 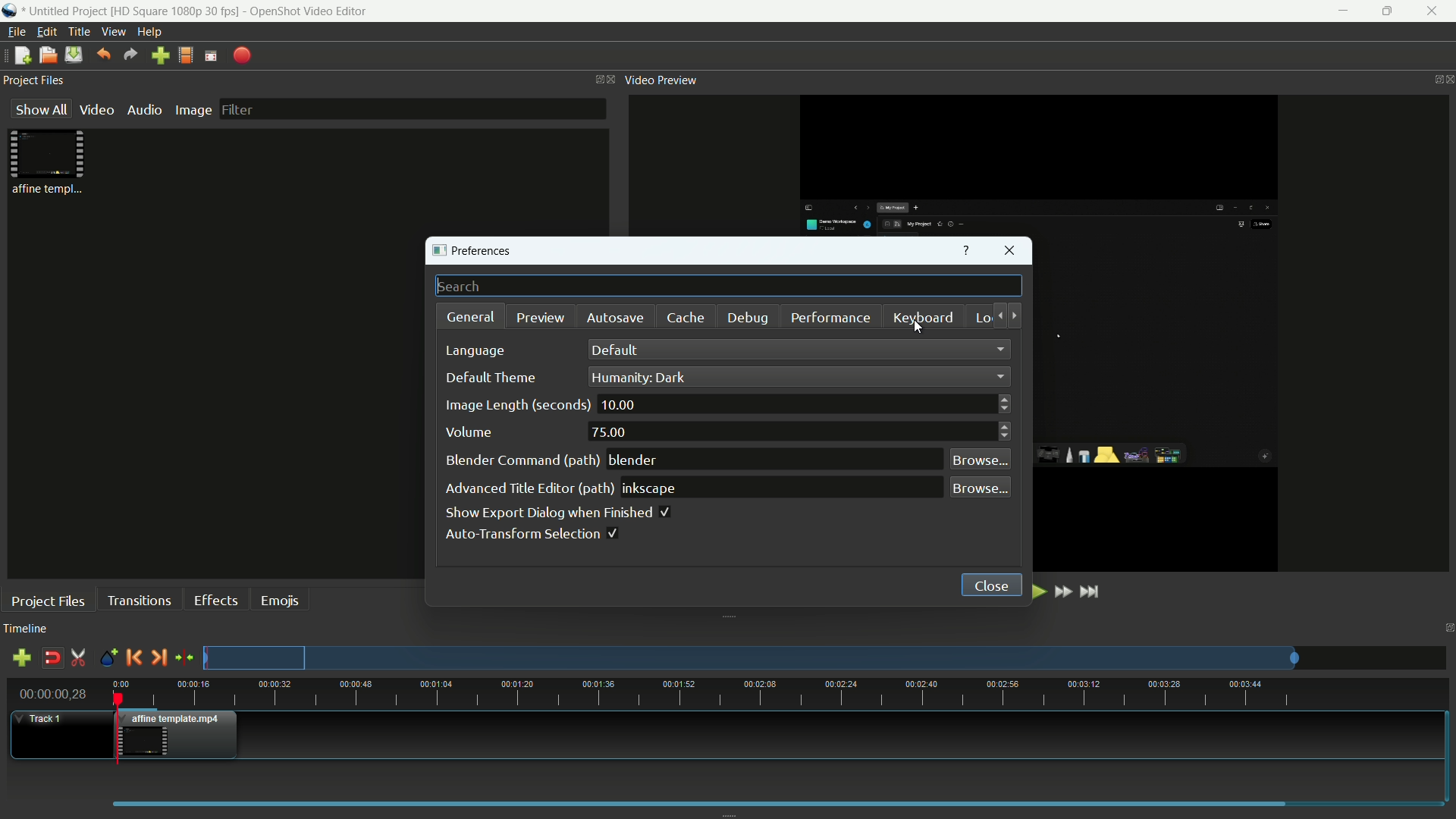 What do you see at coordinates (639, 376) in the screenshot?
I see `humanity dark` at bounding box center [639, 376].